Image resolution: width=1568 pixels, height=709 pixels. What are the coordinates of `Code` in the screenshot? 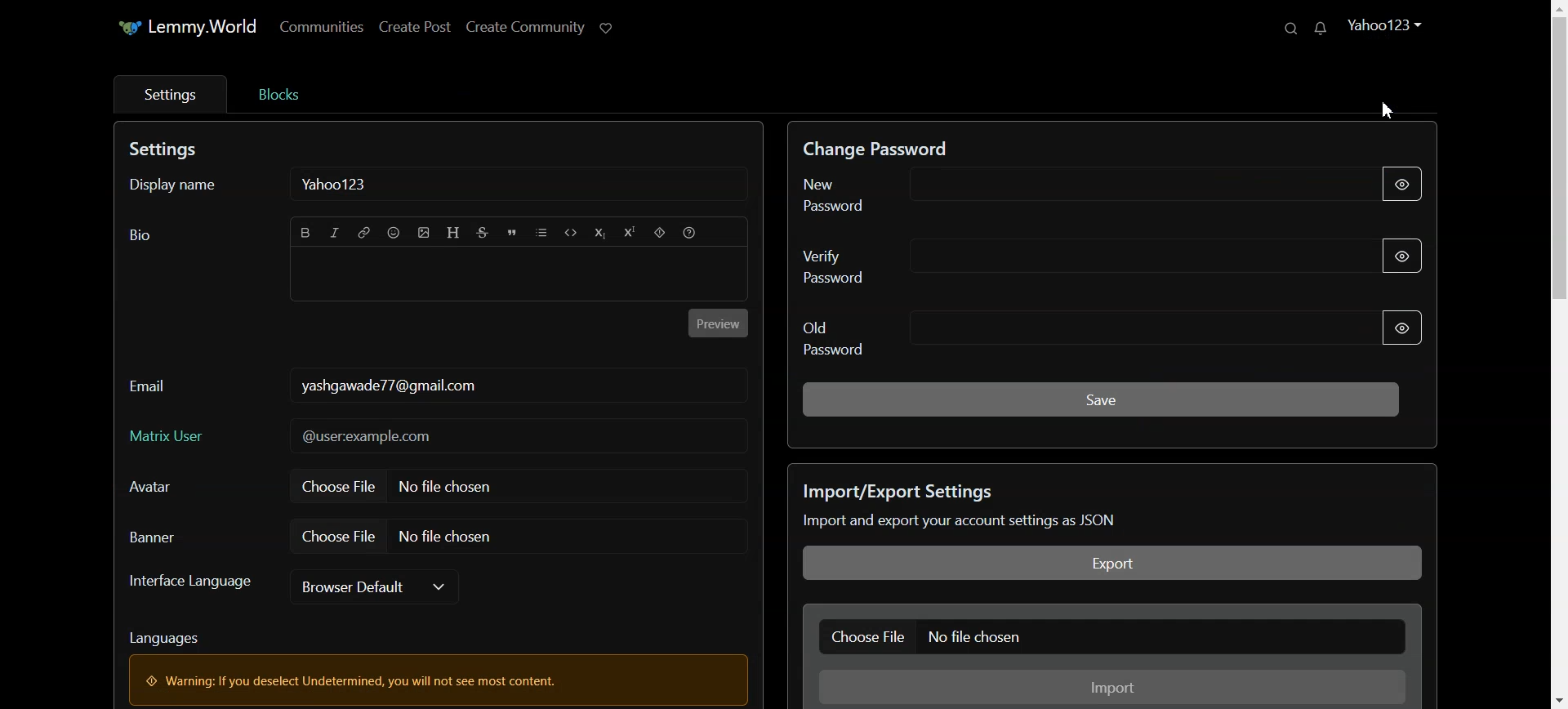 It's located at (570, 231).